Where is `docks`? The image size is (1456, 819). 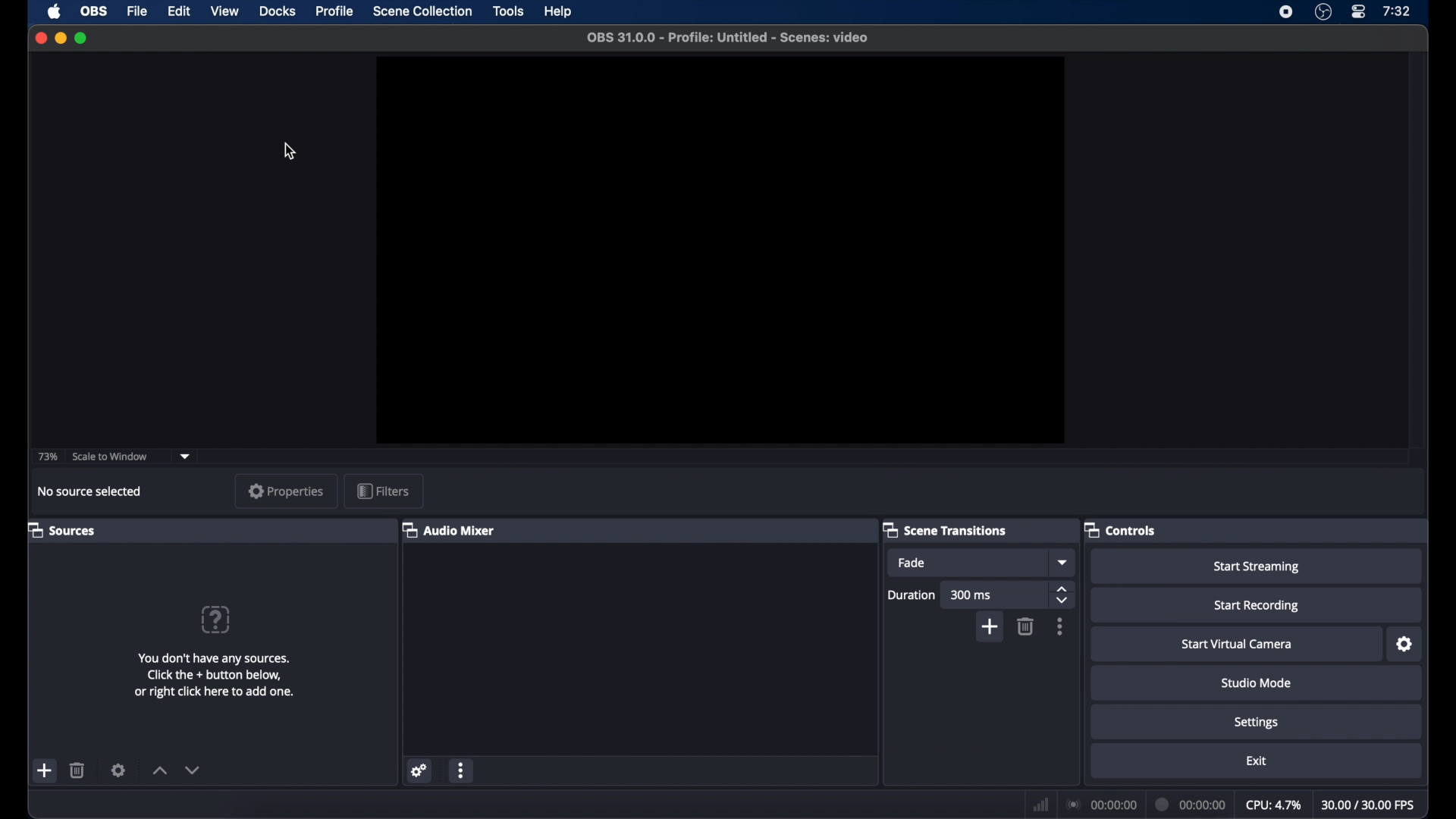
docks is located at coordinates (278, 11).